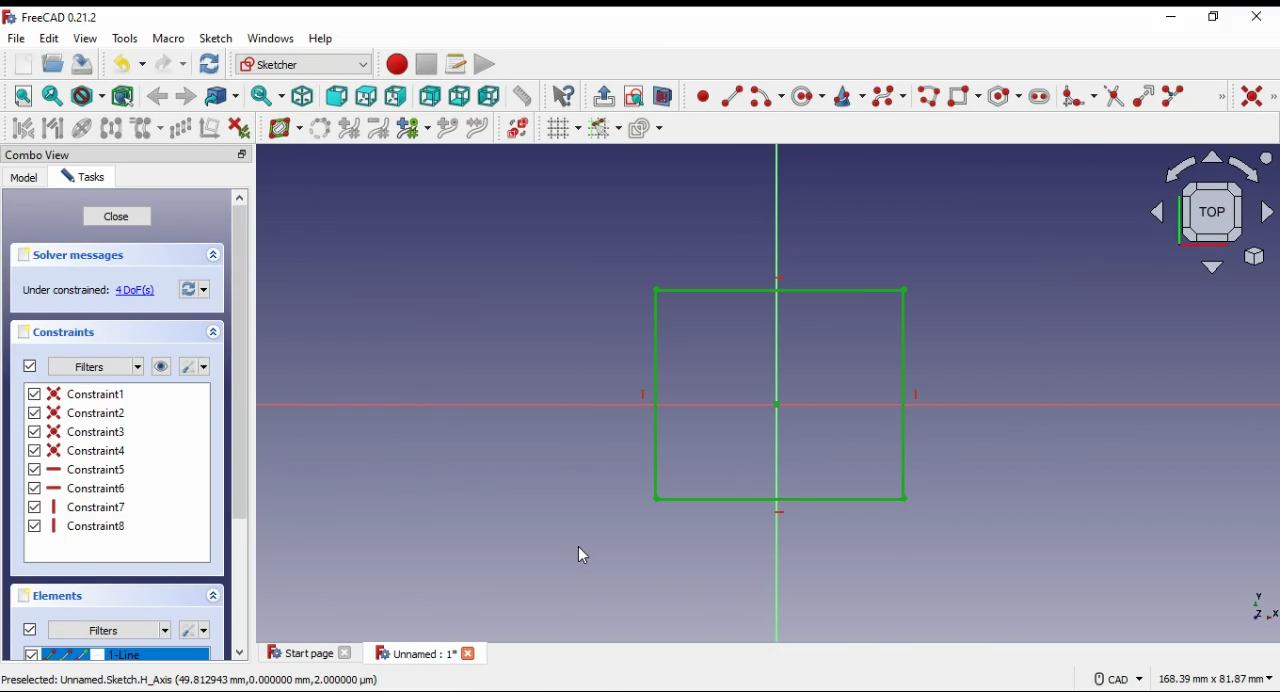  Describe the element at coordinates (137, 291) in the screenshot. I see `4 DoF(s)` at that location.